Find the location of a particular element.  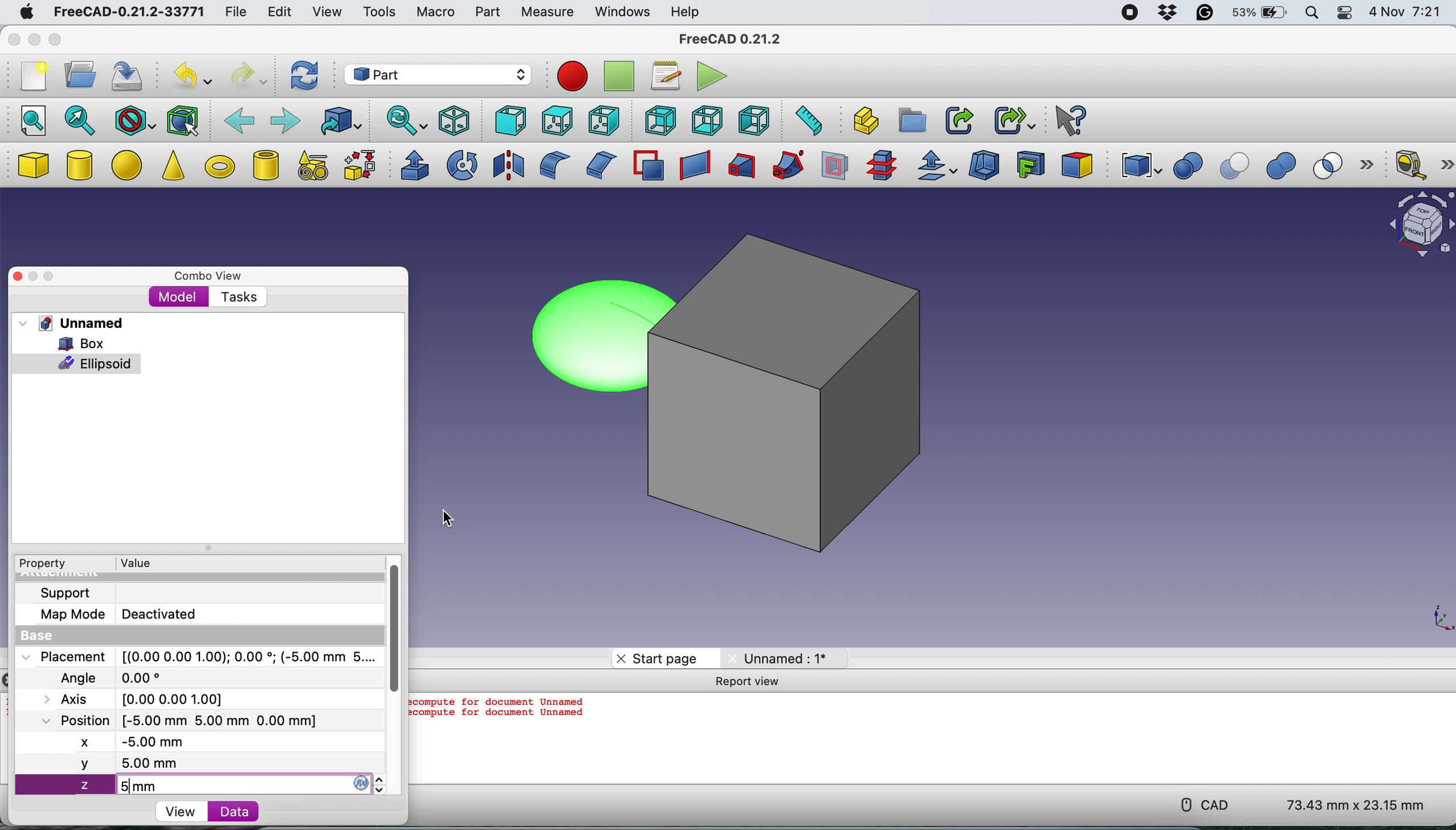

cylinder is located at coordinates (80, 167).